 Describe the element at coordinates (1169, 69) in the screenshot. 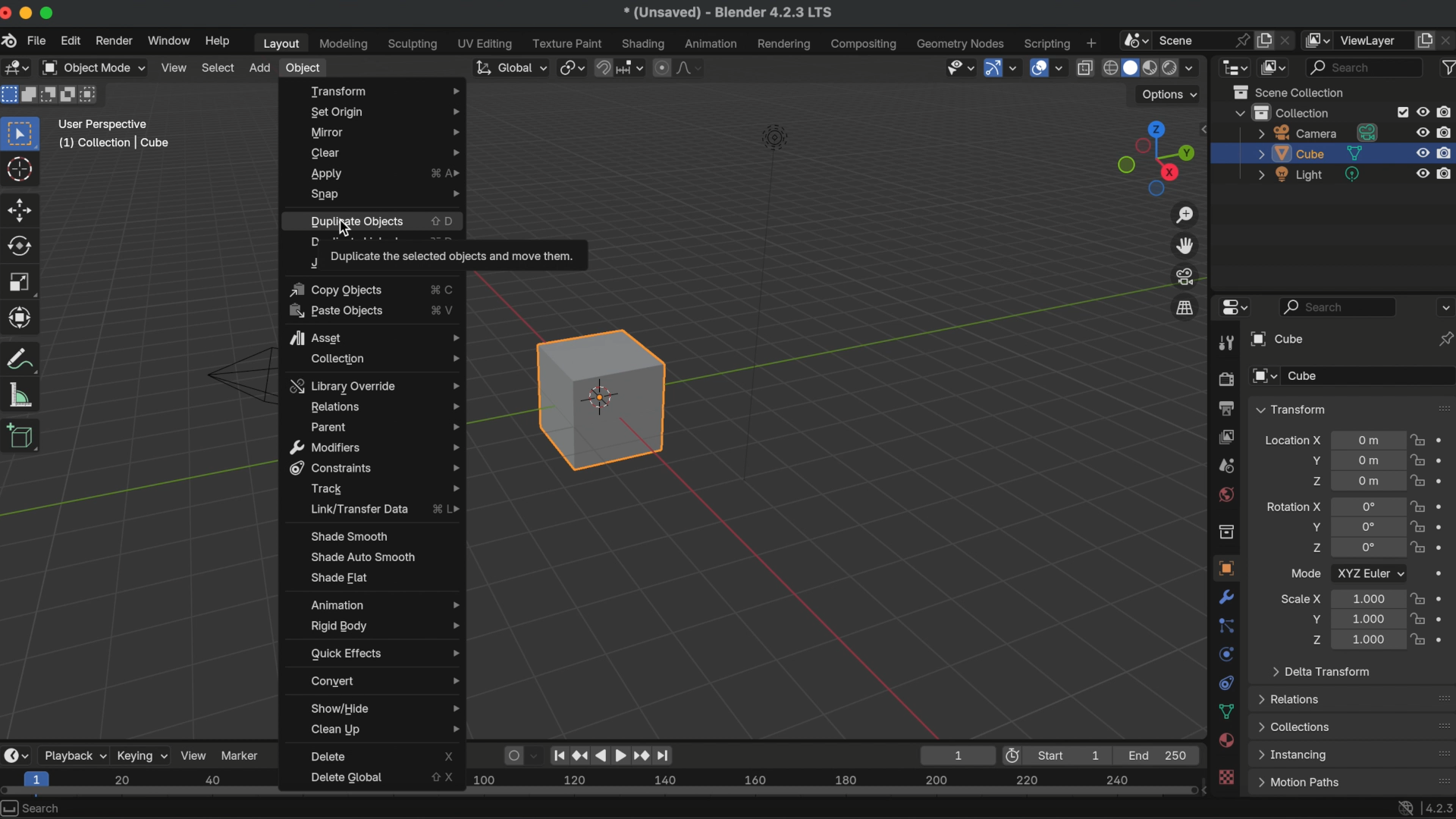

I see `viewport shading` at that location.